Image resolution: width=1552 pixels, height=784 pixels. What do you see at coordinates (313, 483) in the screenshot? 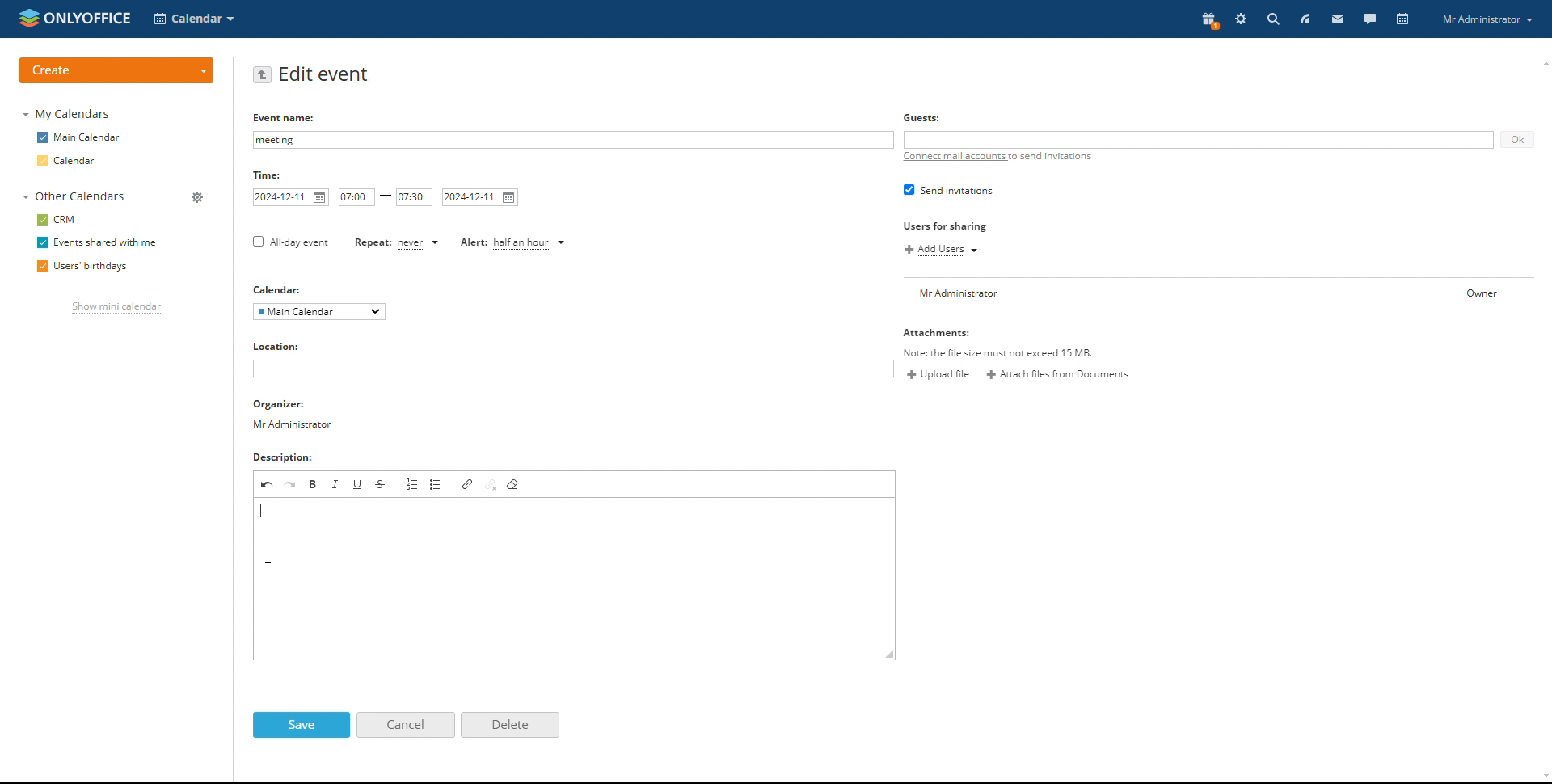
I see `bold` at bounding box center [313, 483].